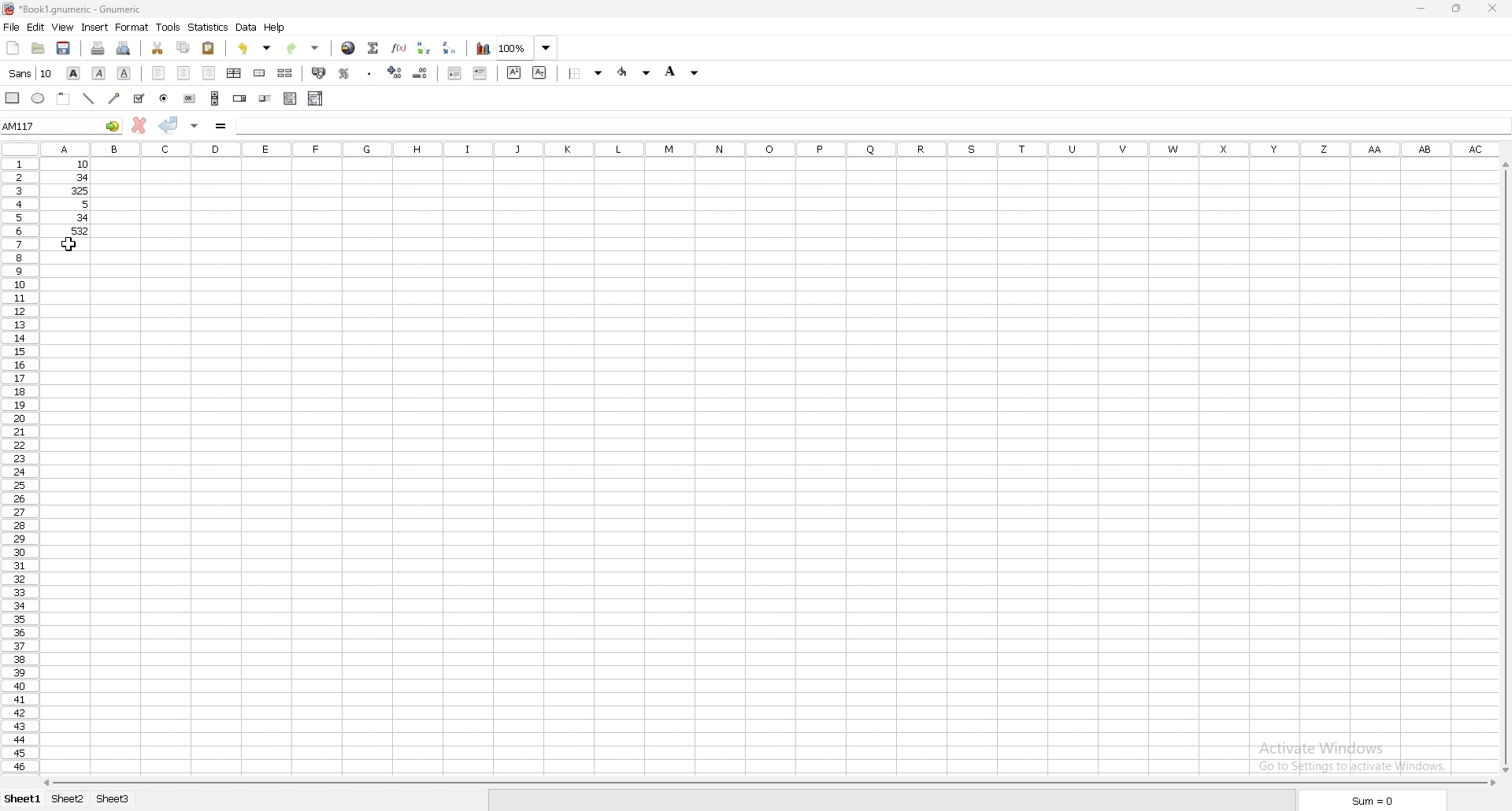 The image size is (1512, 811). Describe the element at coordinates (35, 28) in the screenshot. I see `edit` at that location.